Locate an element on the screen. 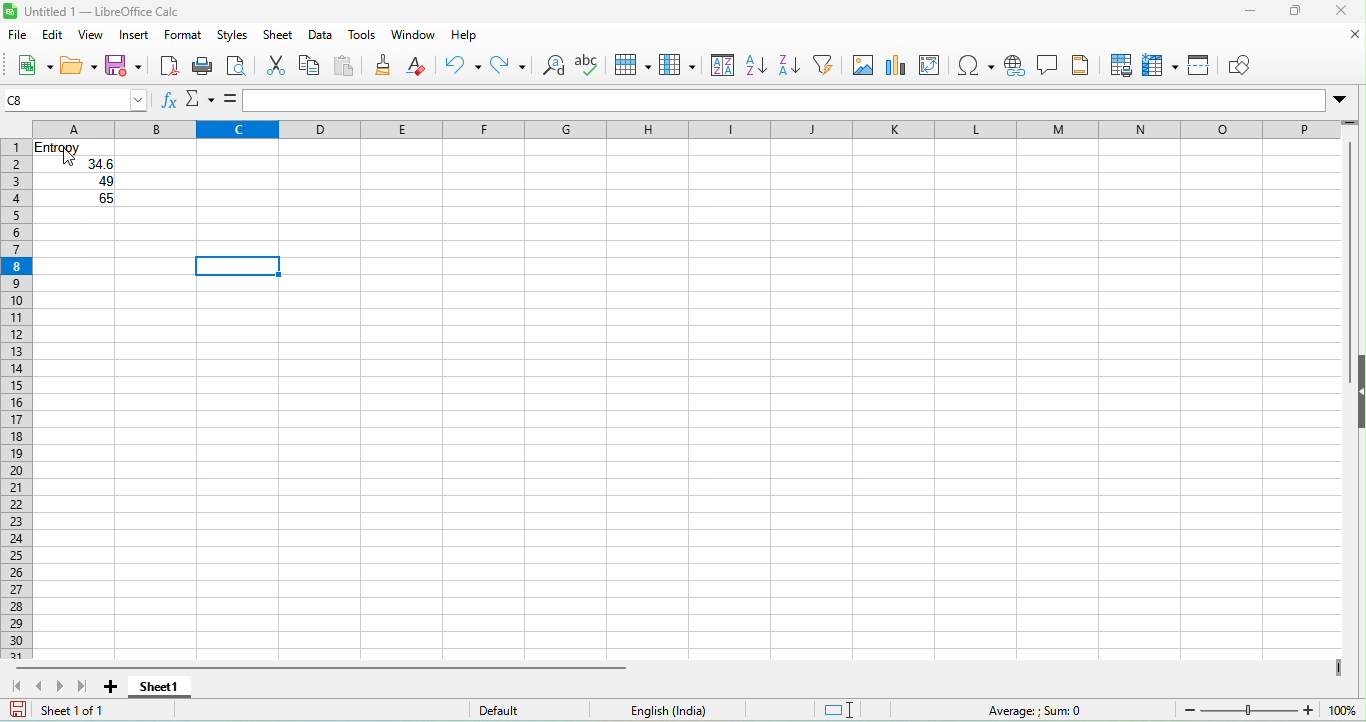 This screenshot has width=1366, height=722. file is located at coordinates (18, 36).